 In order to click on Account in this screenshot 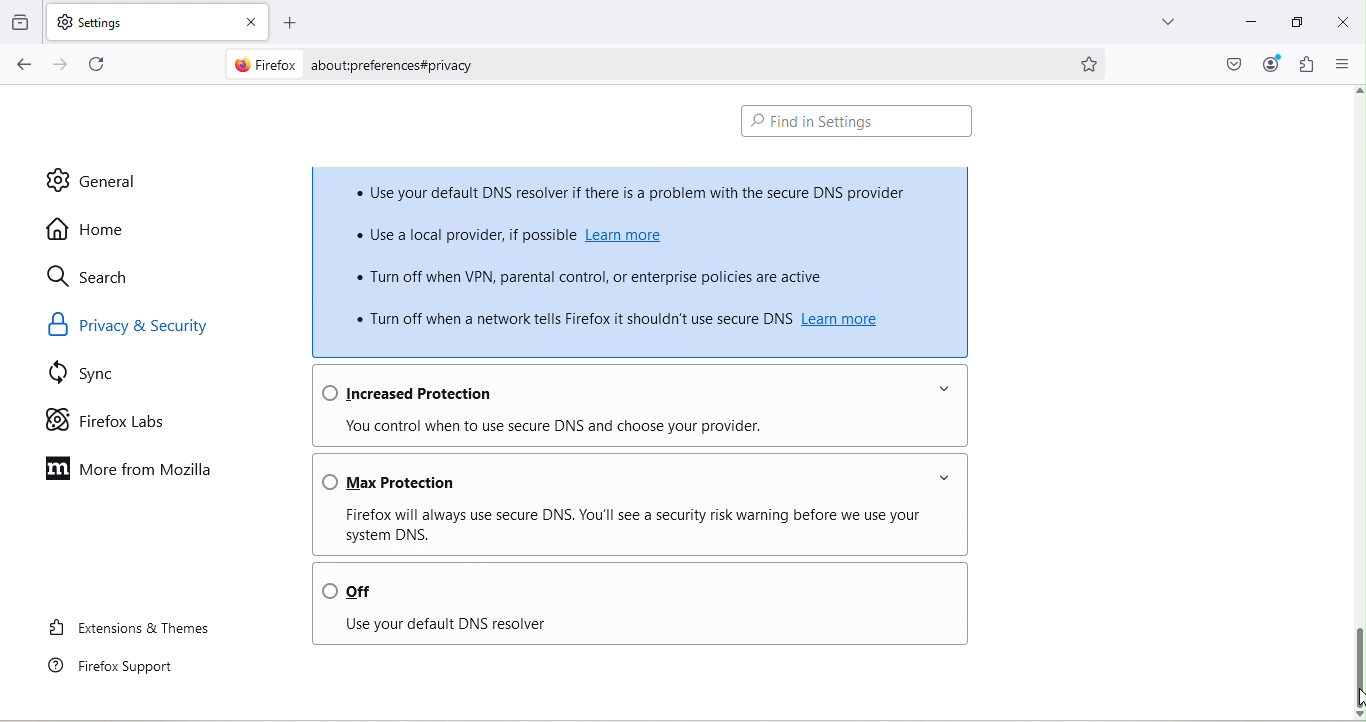, I will do `click(1272, 65)`.